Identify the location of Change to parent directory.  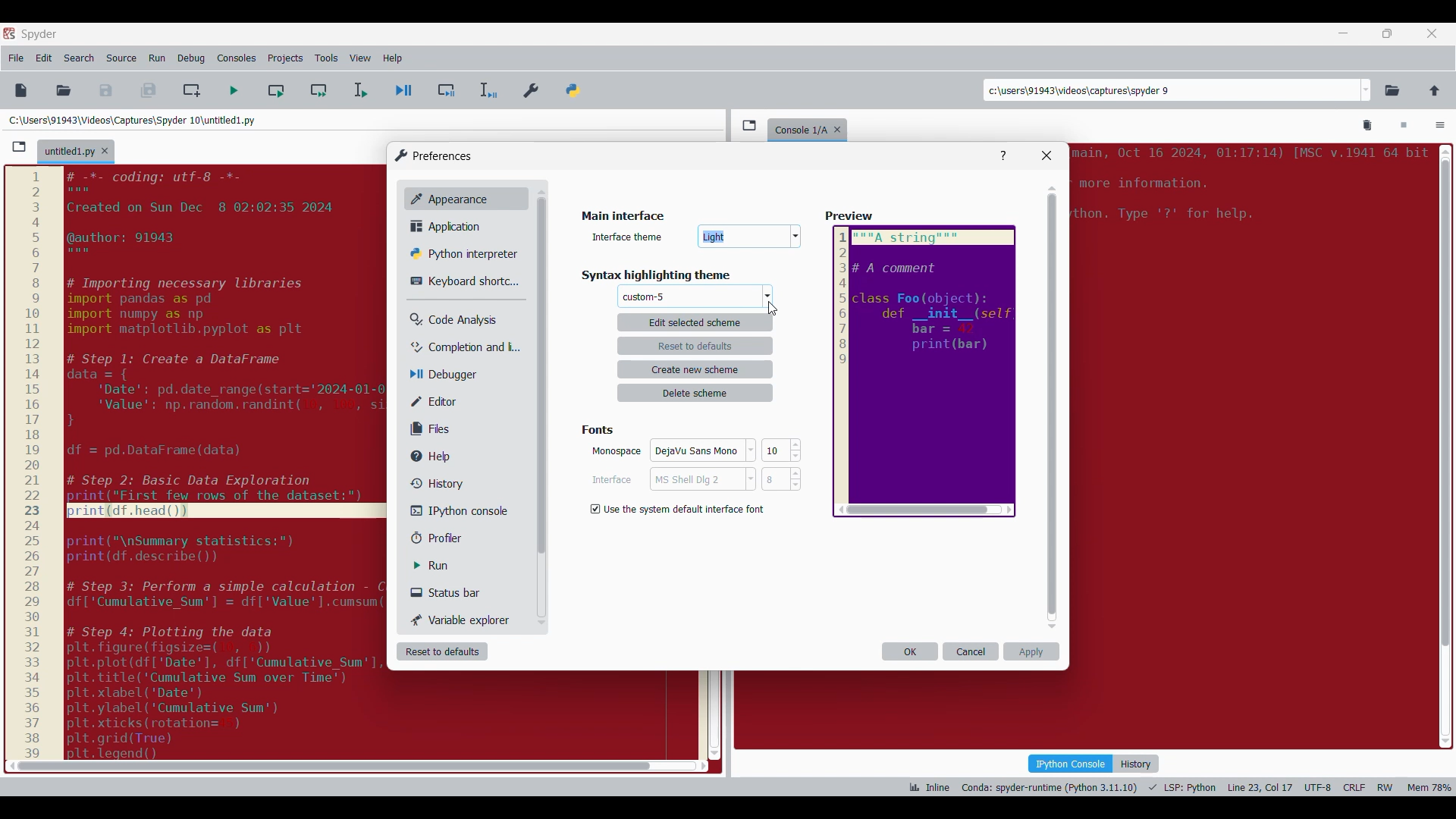
(1435, 90).